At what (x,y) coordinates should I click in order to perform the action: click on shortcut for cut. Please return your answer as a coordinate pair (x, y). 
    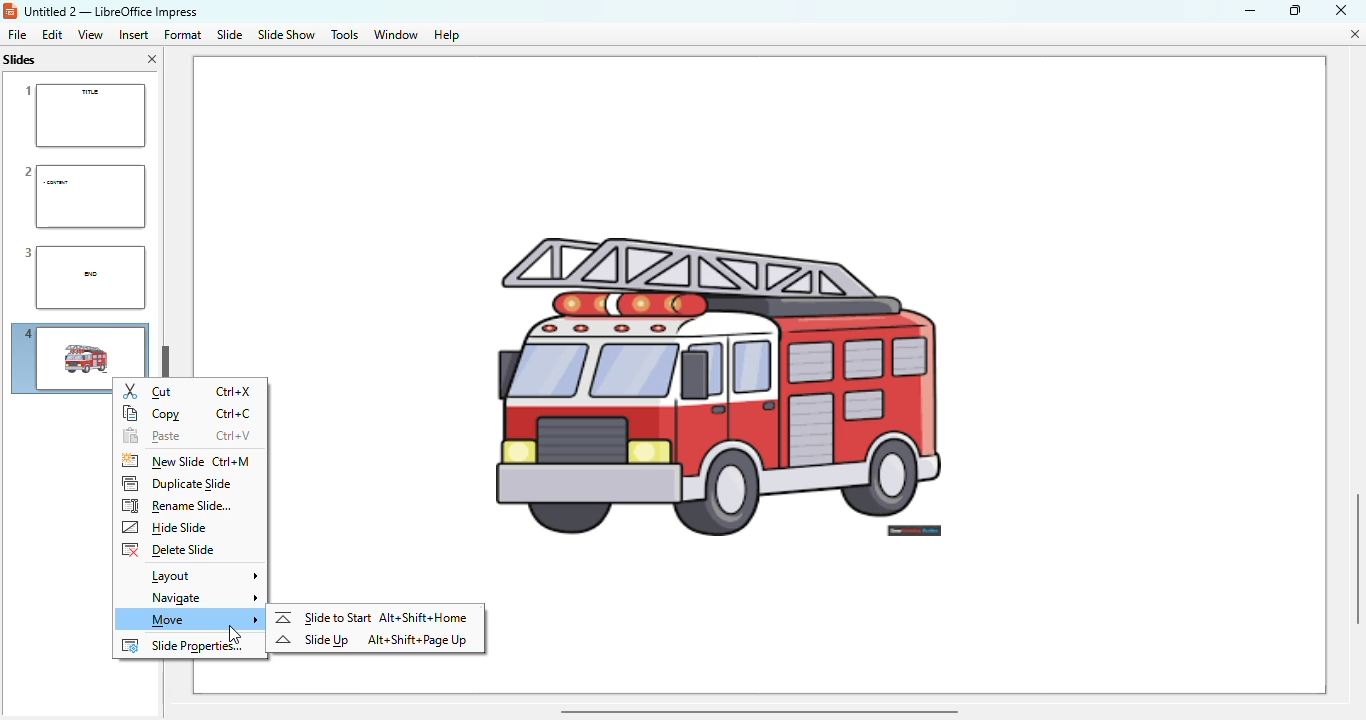
    Looking at the image, I should click on (236, 392).